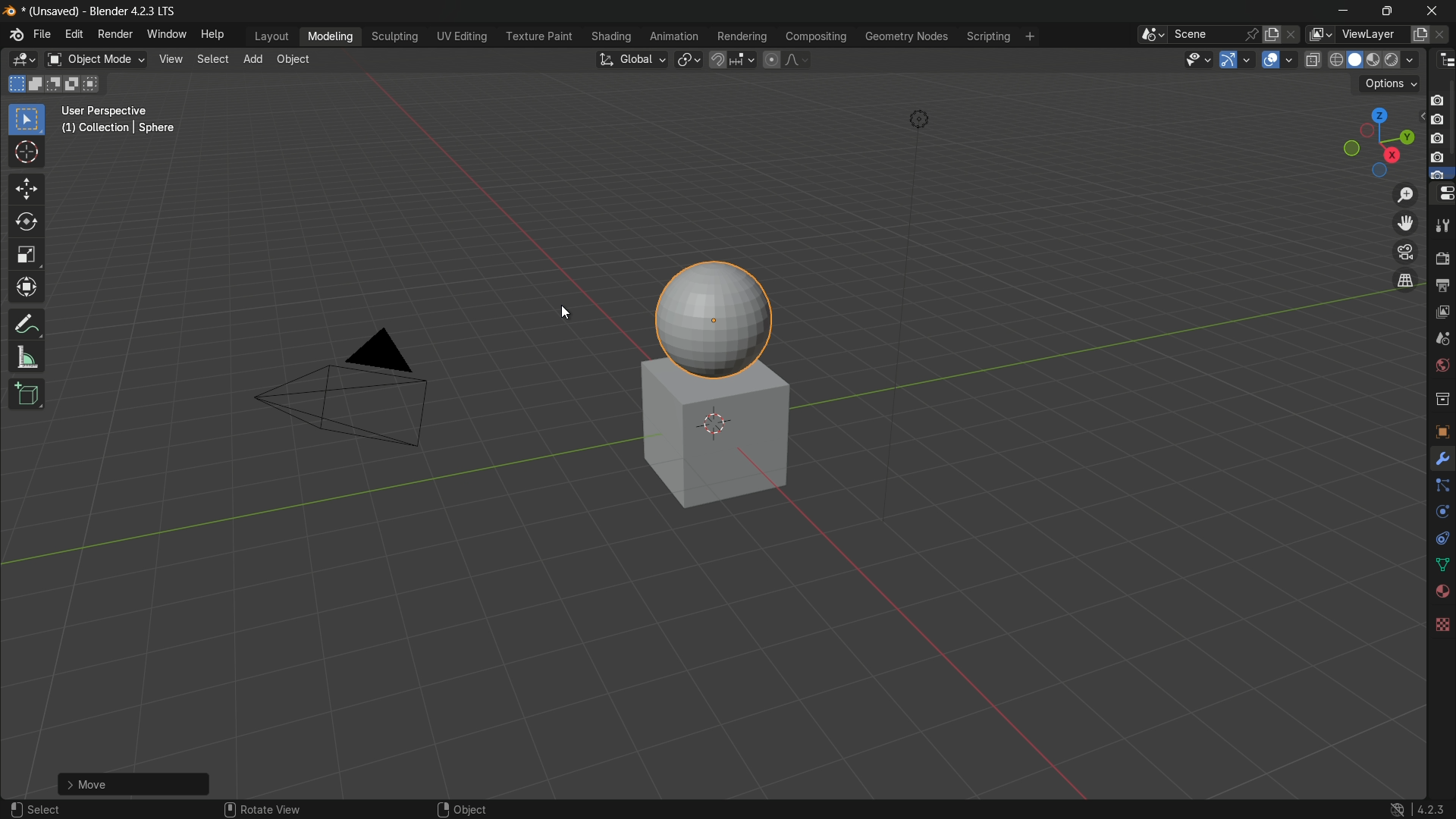 This screenshot has height=819, width=1456. I want to click on transform pivot table, so click(690, 60).